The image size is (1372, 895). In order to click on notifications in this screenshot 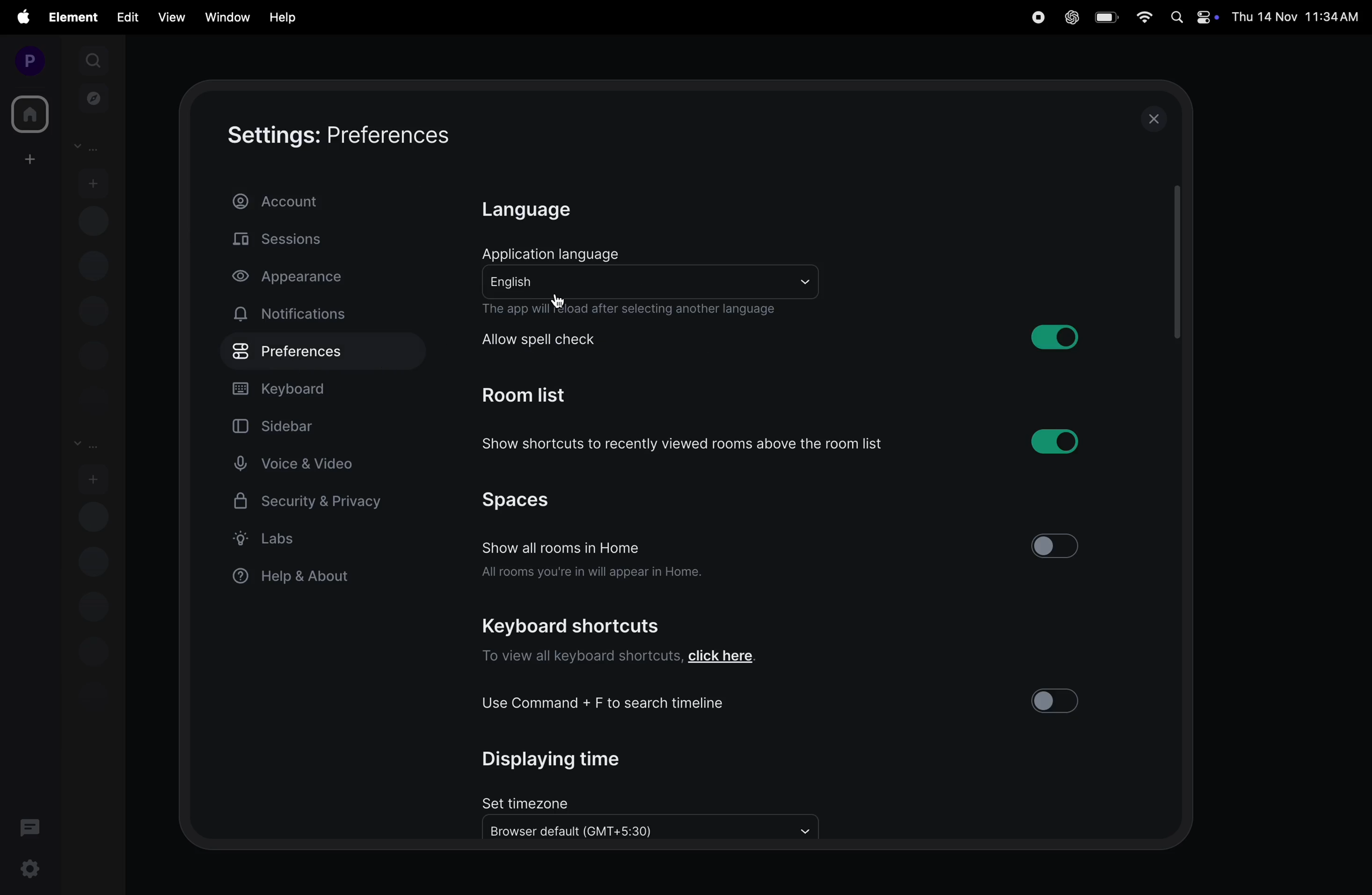, I will do `click(312, 315)`.